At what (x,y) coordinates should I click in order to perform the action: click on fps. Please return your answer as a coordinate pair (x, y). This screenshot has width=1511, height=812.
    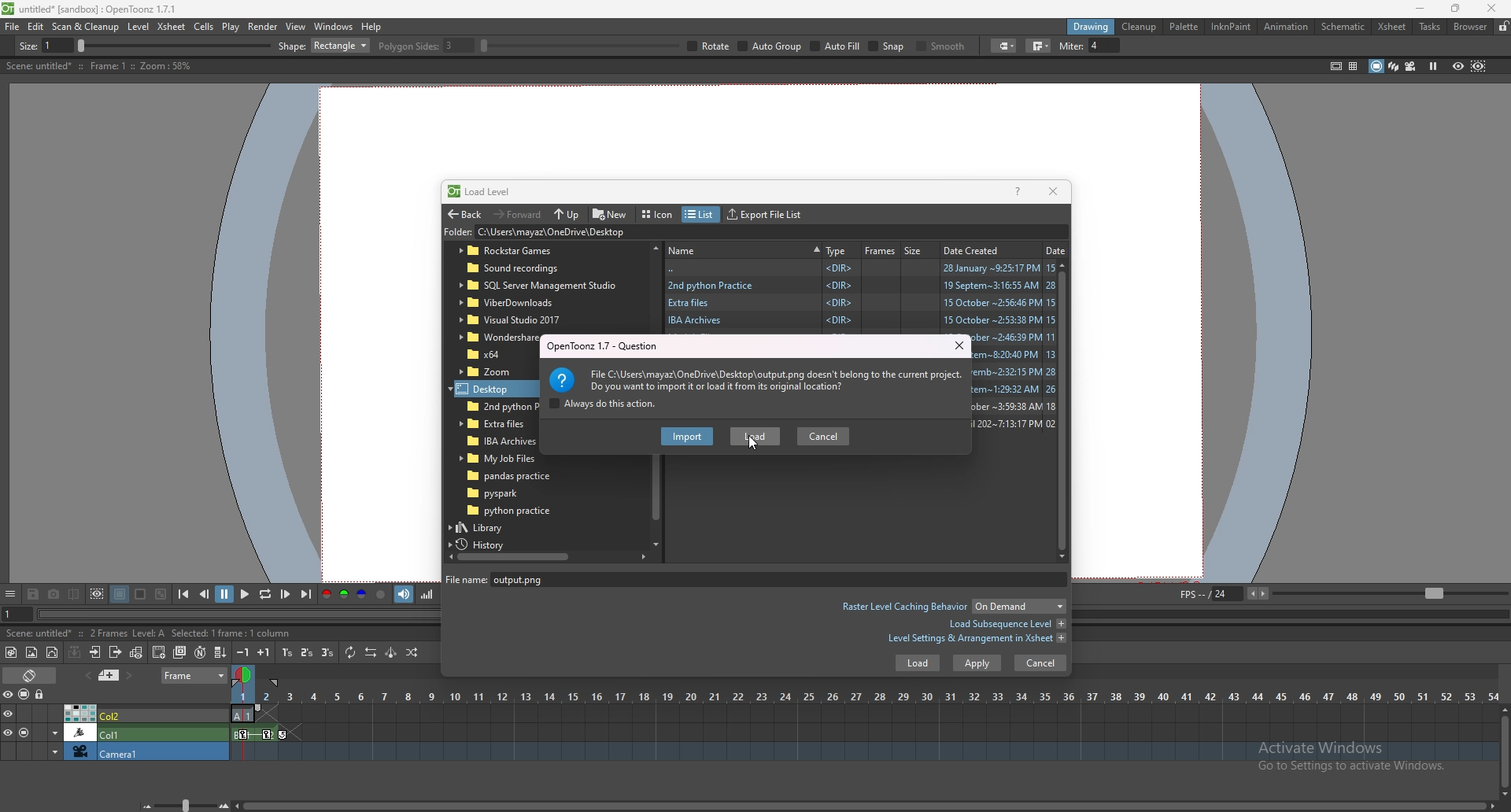
    Looking at the image, I should click on (1341, 592).